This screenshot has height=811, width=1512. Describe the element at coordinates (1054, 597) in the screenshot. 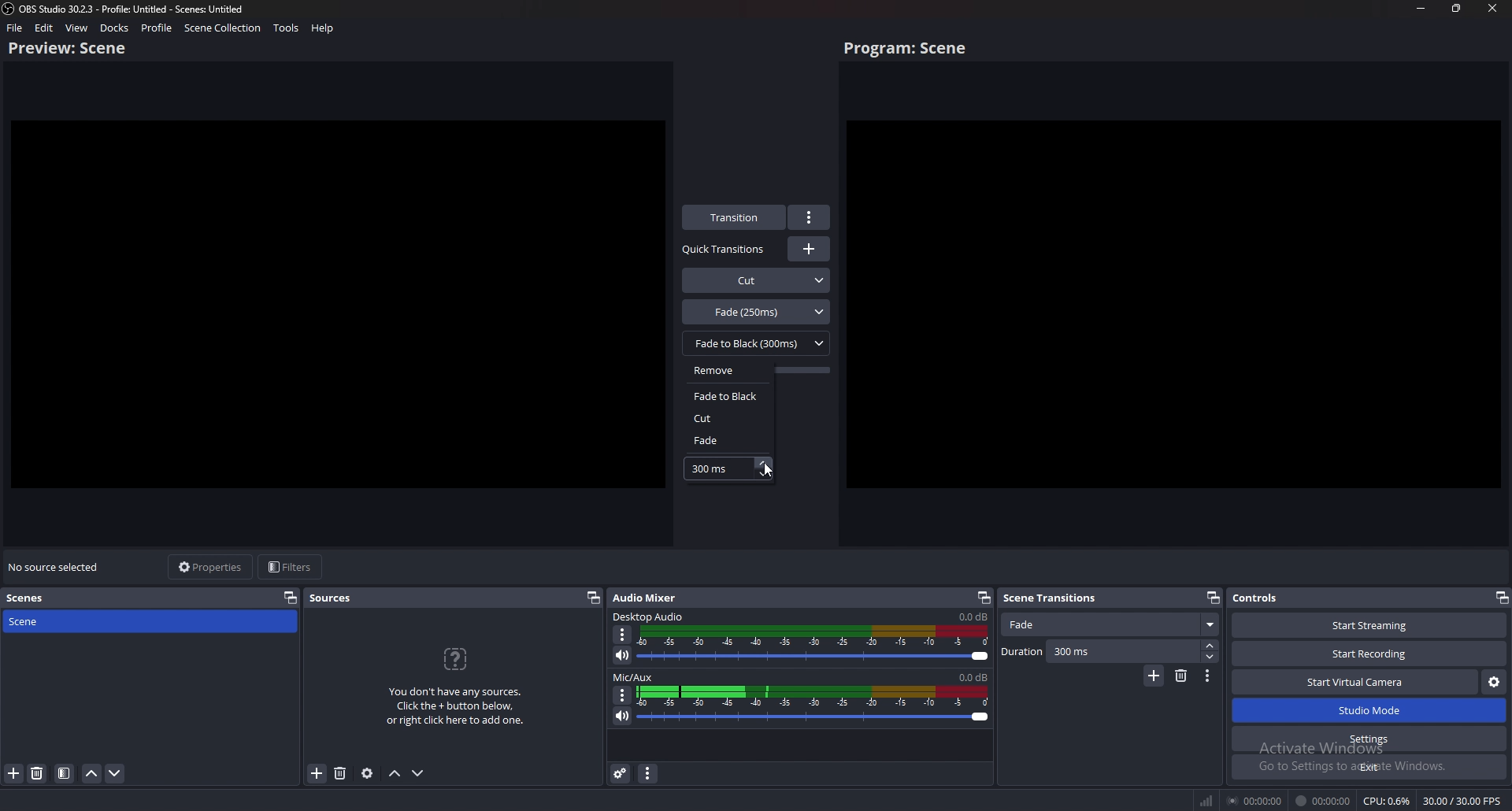

I see `Seen transitions ` at that location.